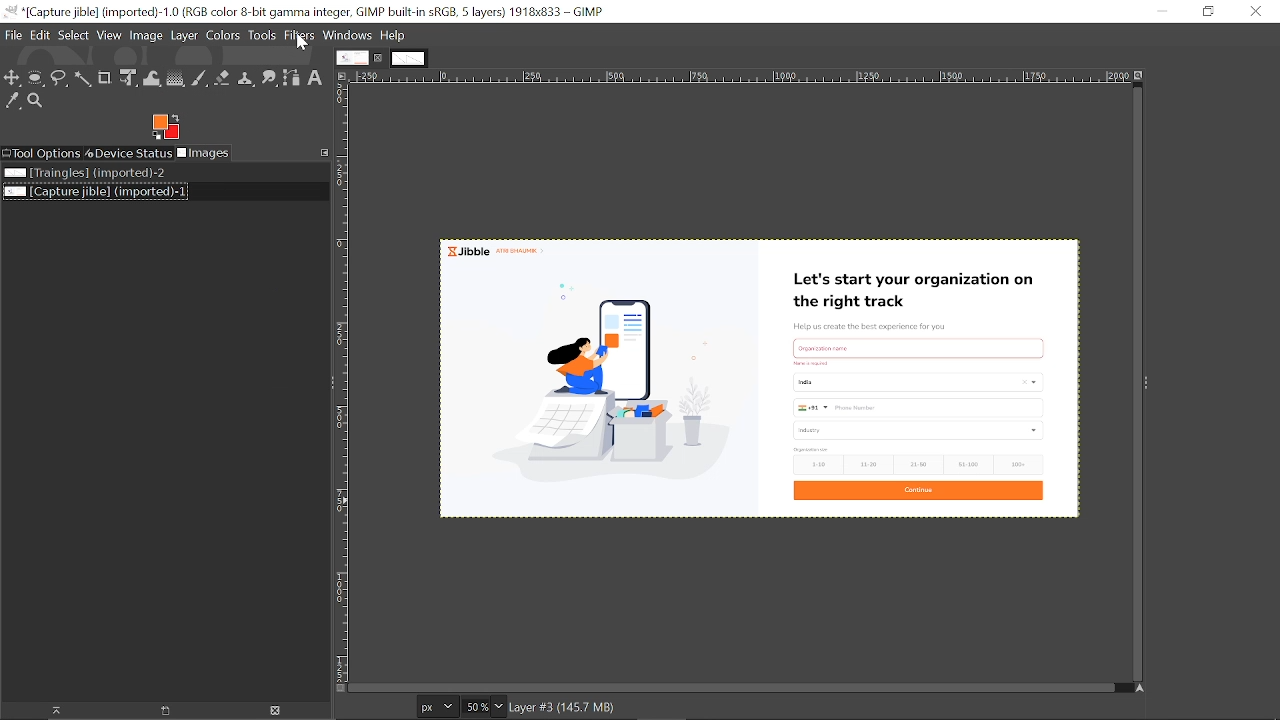  I want to click on Zoom tool, so click(36, 101).